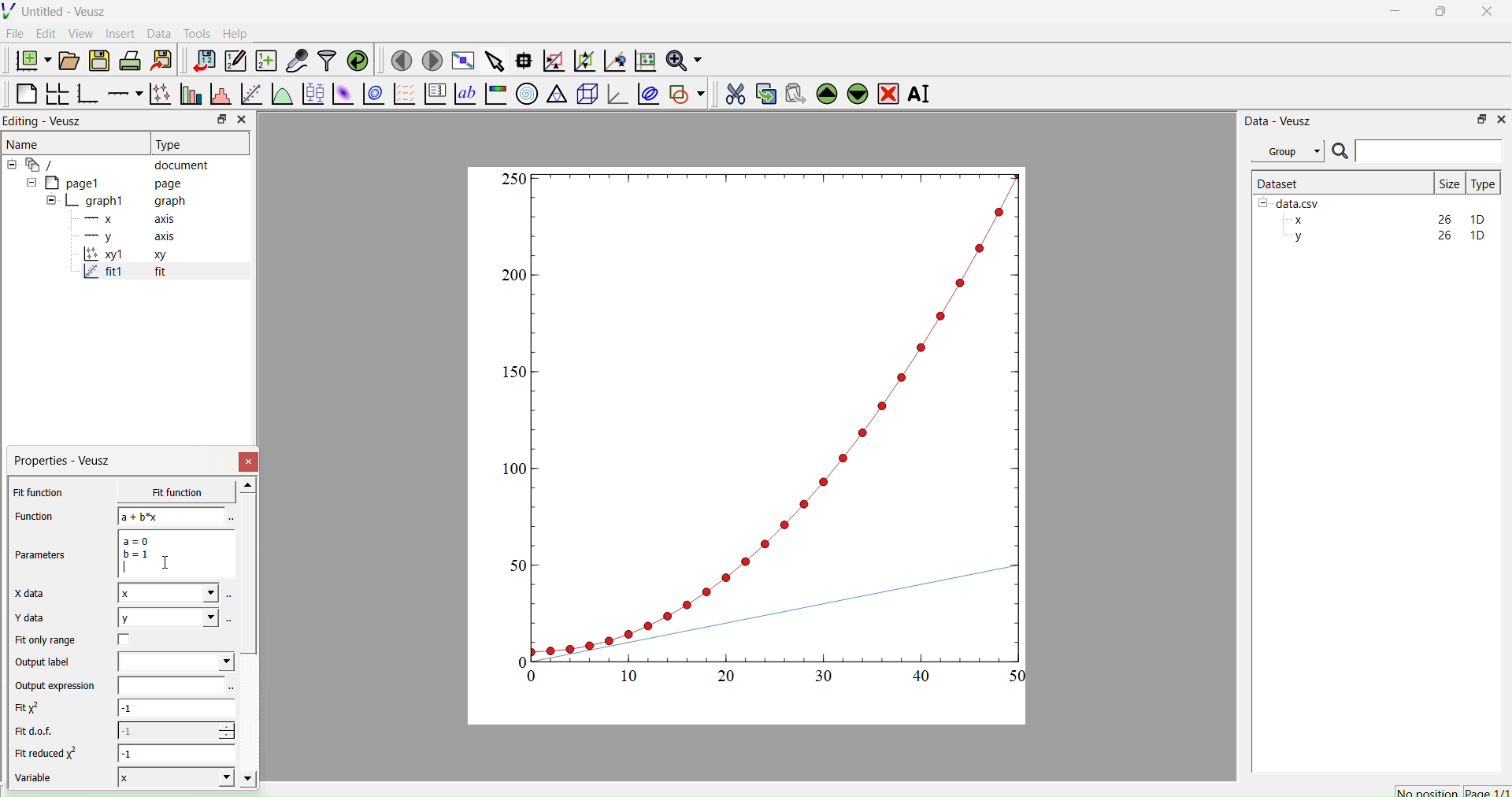 This screenshot has width=1512, height=797. Describe the element at coordinates (1278, 120) in the screenshot. I see `Data - Veusz` at that location.